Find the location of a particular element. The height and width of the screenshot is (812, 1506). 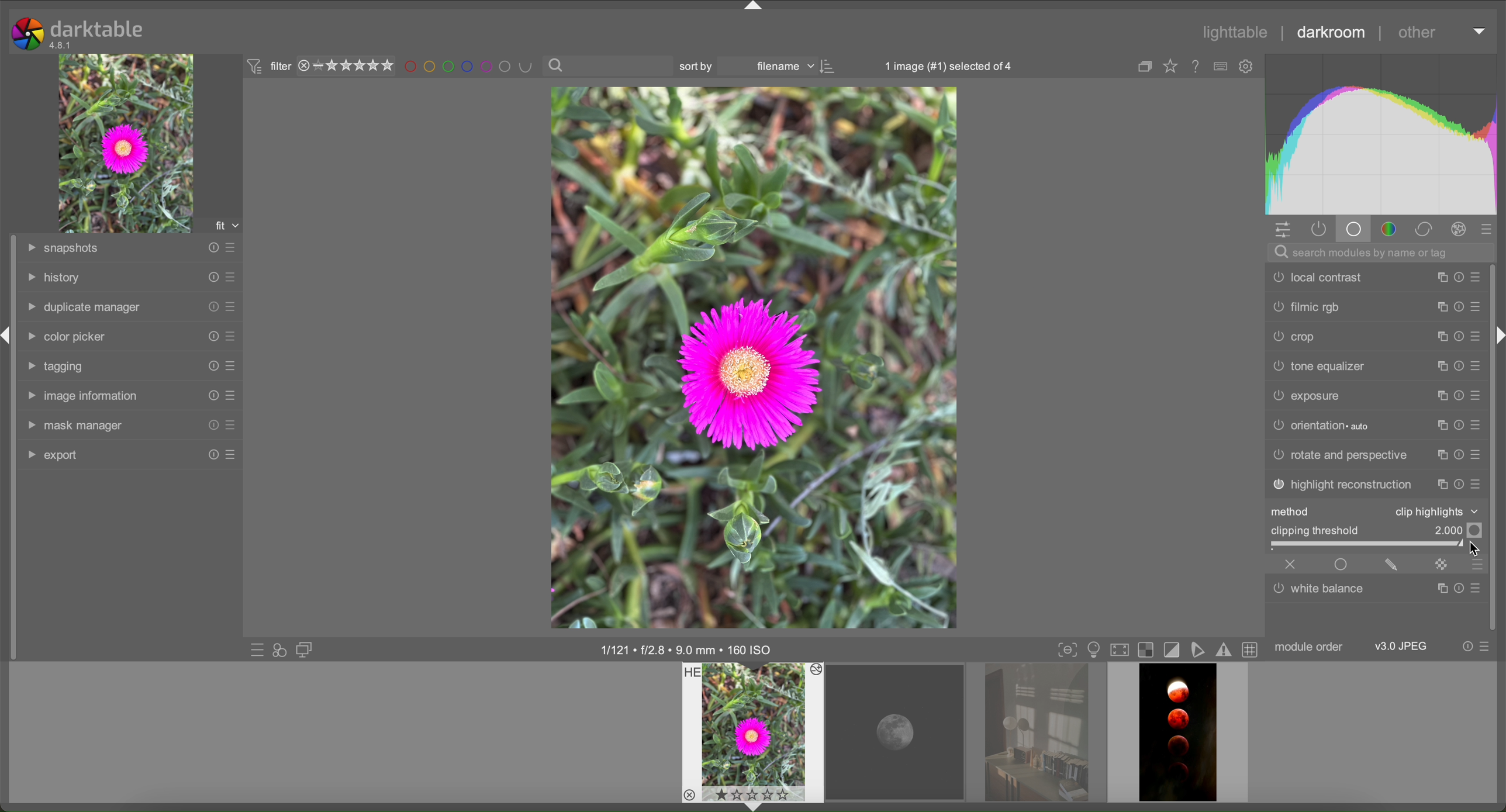

cursor is located at coordinates (1475, 551).